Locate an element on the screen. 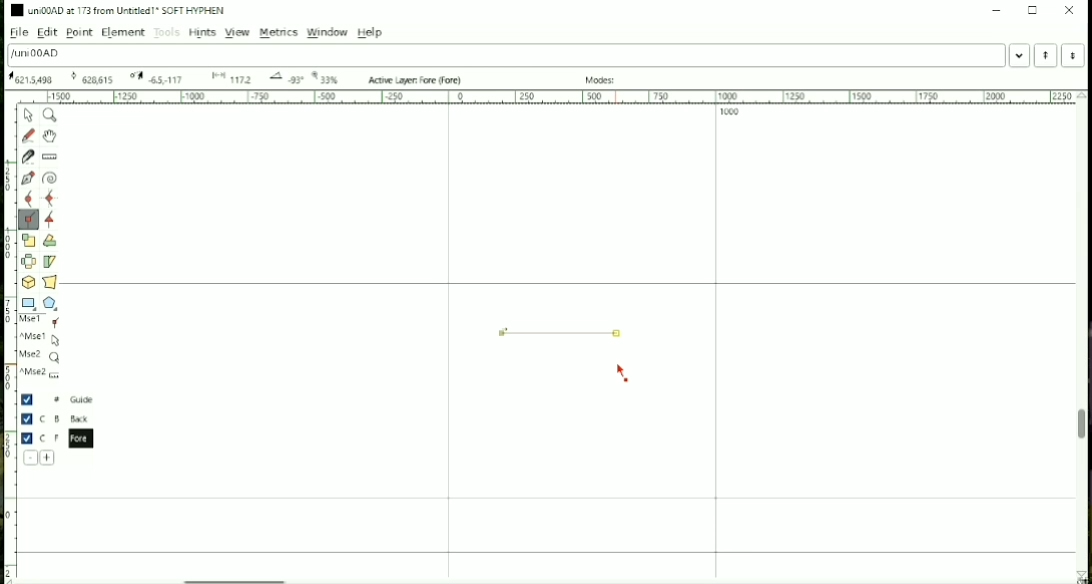  Active Layer is located at coordinates (417, 80).